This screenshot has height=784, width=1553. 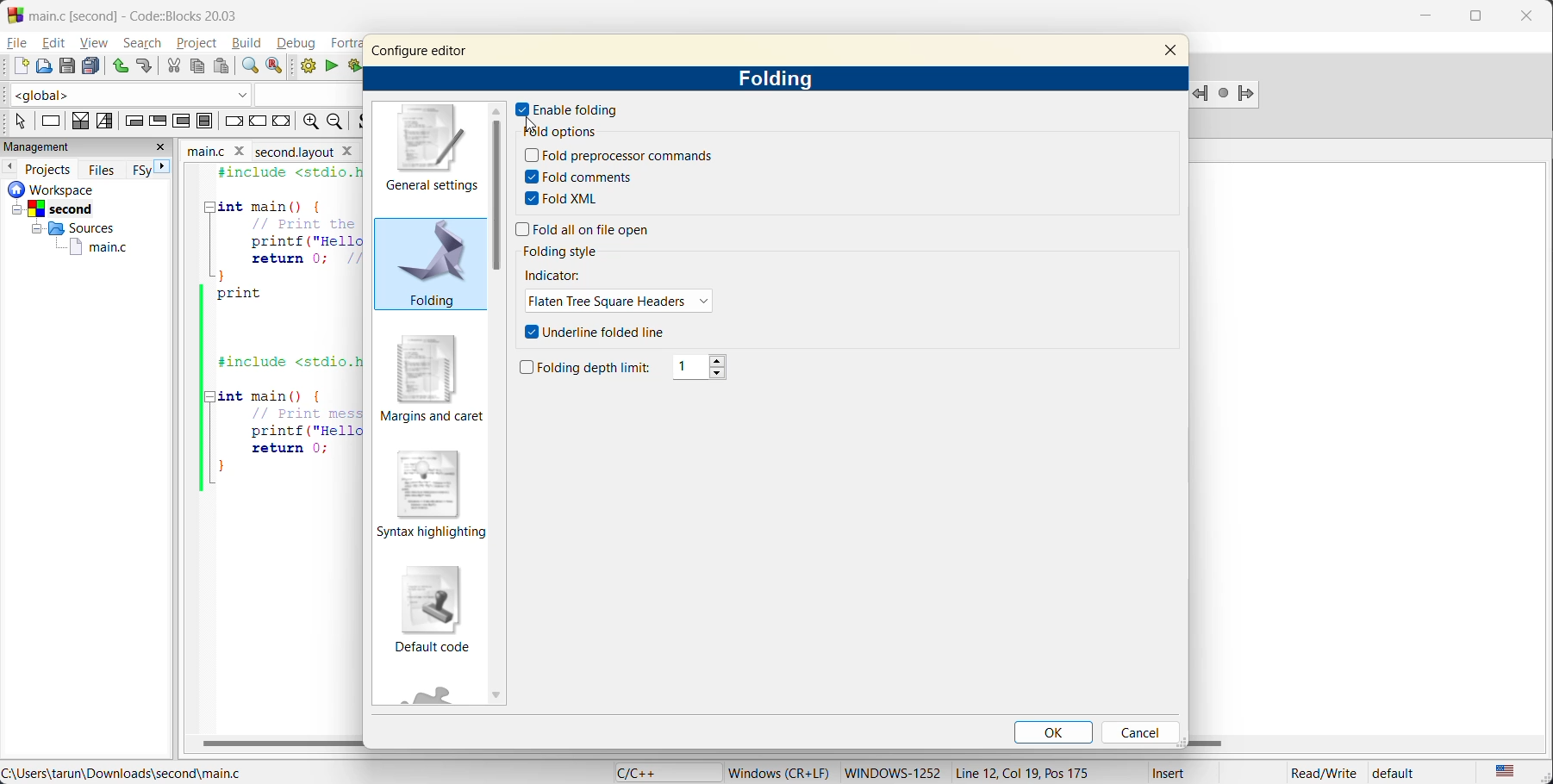 I want to click on close, so click(x=1529, y=17).